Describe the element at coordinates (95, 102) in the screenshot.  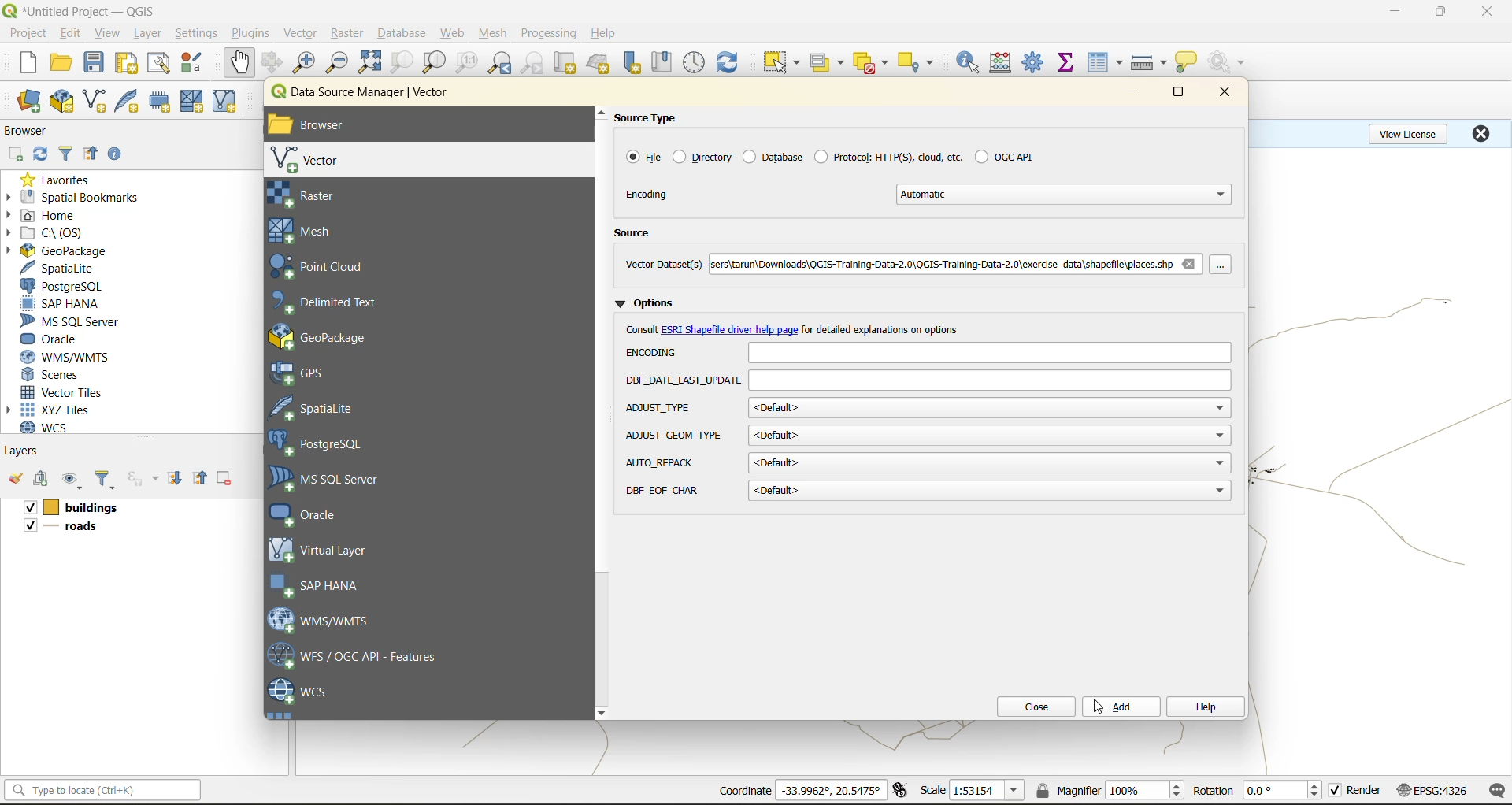
I see `new shapefile layer` at that location.